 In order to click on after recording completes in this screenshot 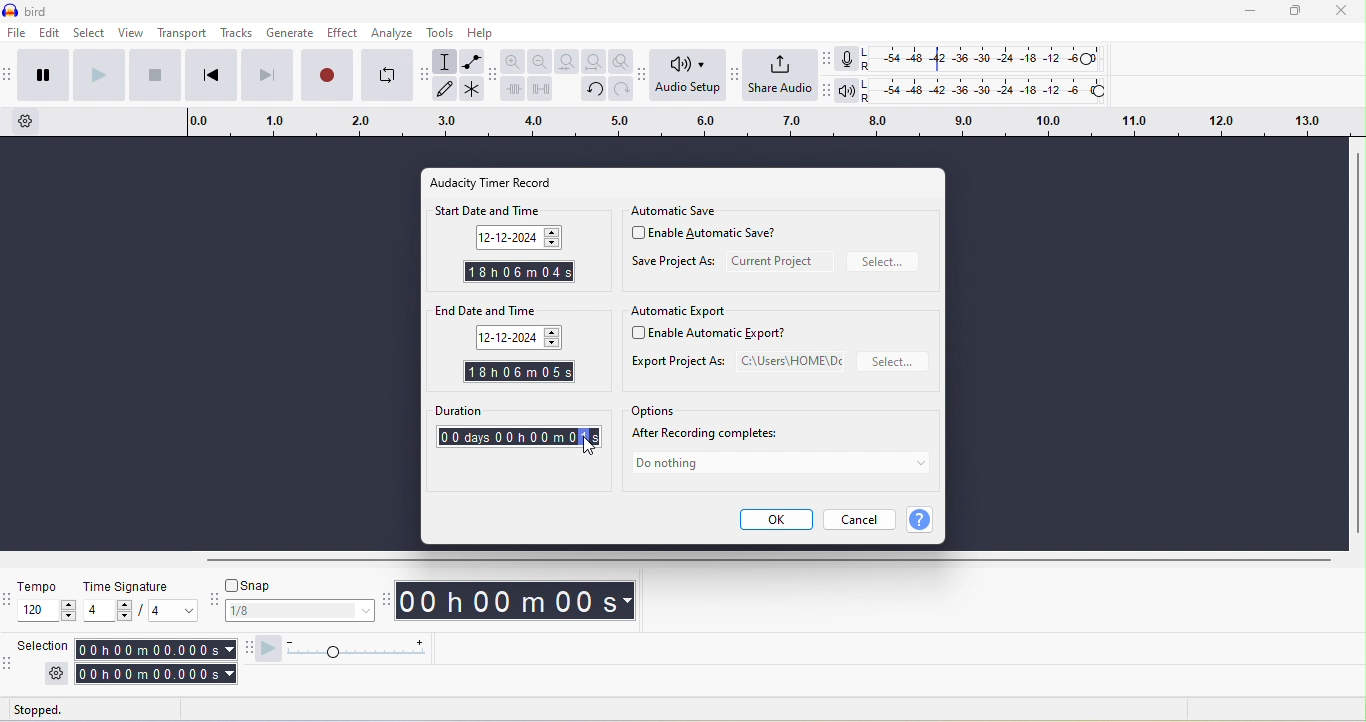, I will do `click(713, 435)`.